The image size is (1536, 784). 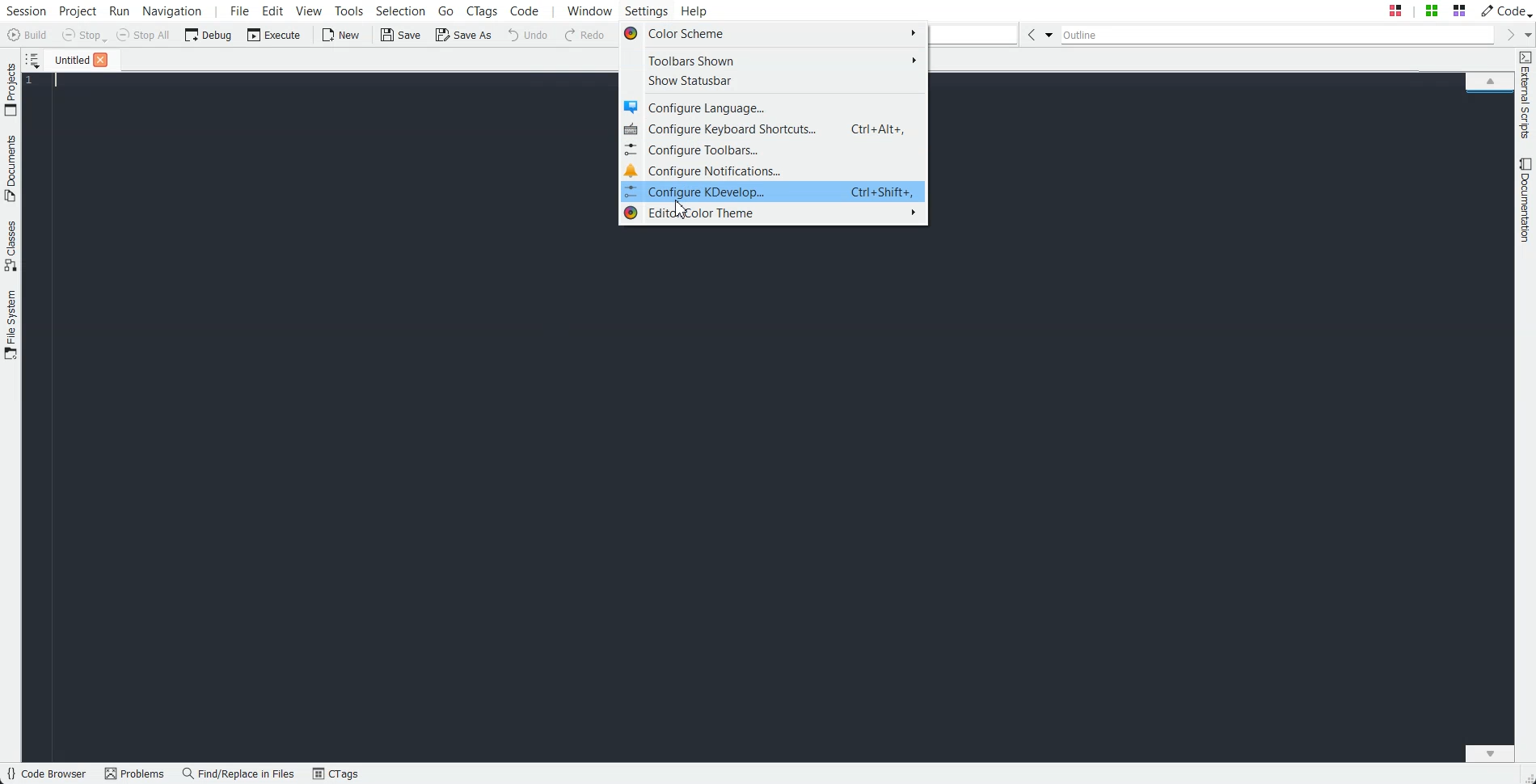 What do you see at coordinates (11, 89) in the screenshot?
I see `Project` at bounding box center [11, 89].